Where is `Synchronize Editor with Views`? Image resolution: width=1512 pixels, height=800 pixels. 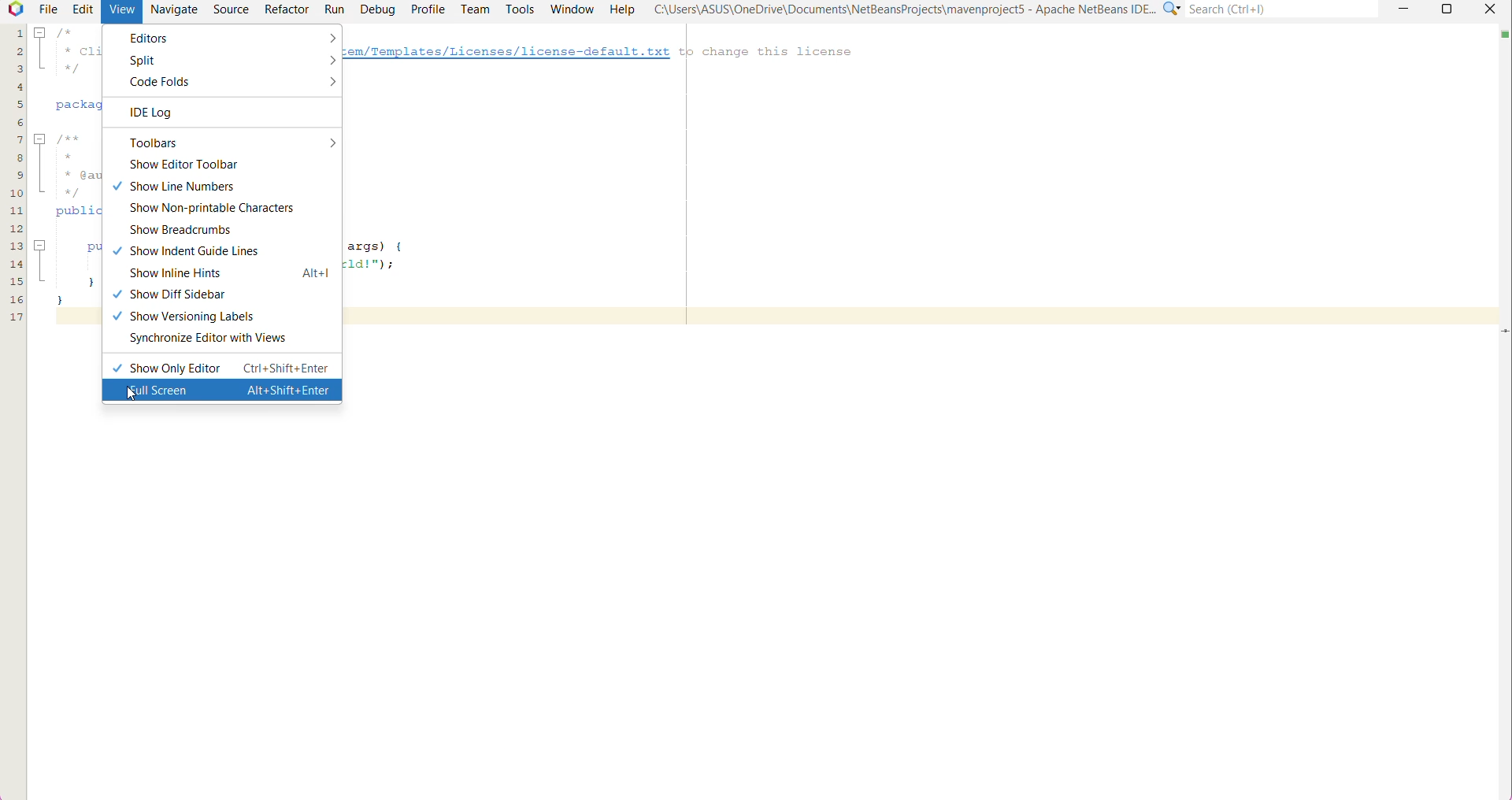
Synchronize Editor with Views is located at coordinates (222, 340).